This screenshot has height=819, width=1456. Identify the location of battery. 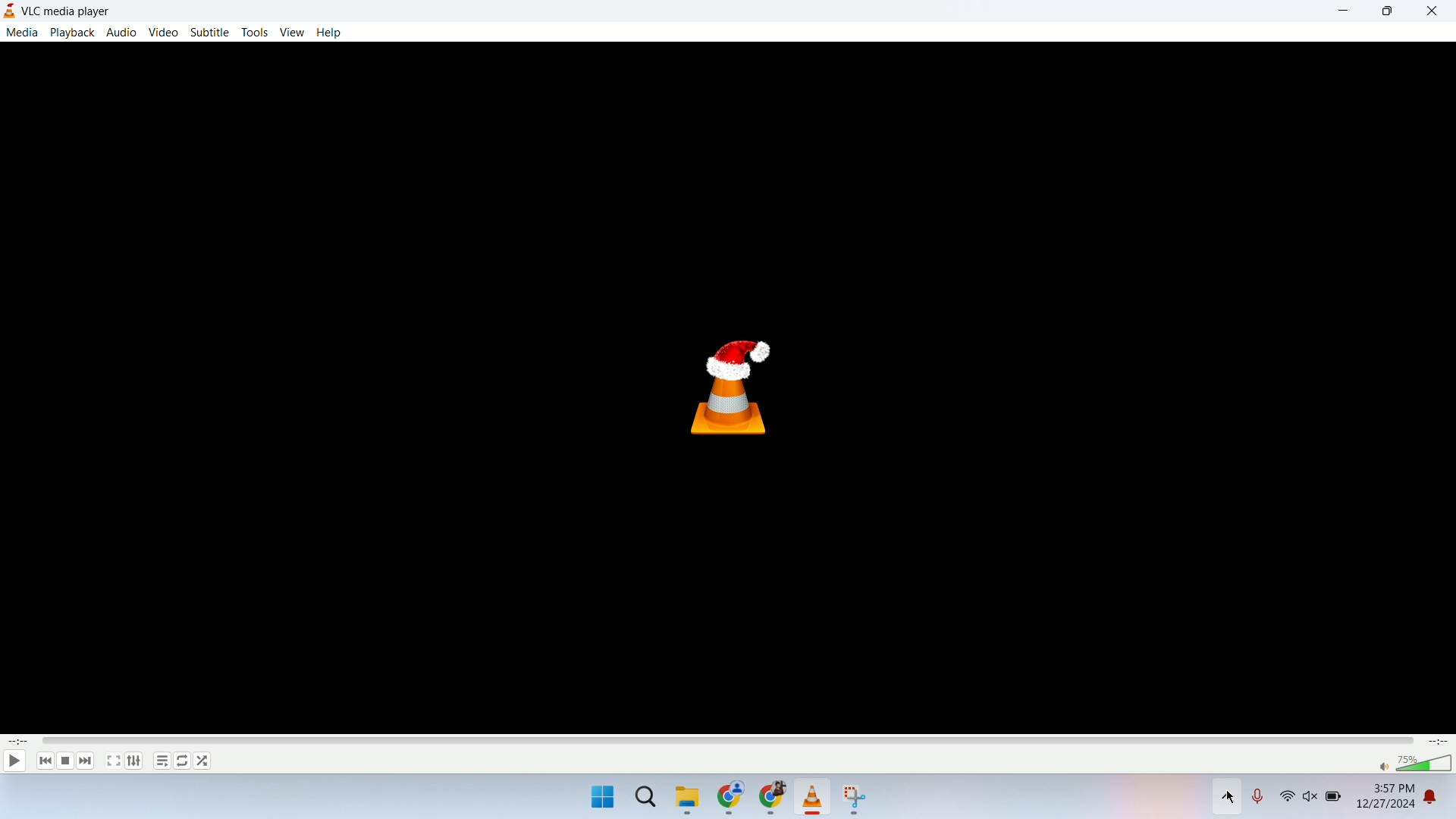
(1335, 802).